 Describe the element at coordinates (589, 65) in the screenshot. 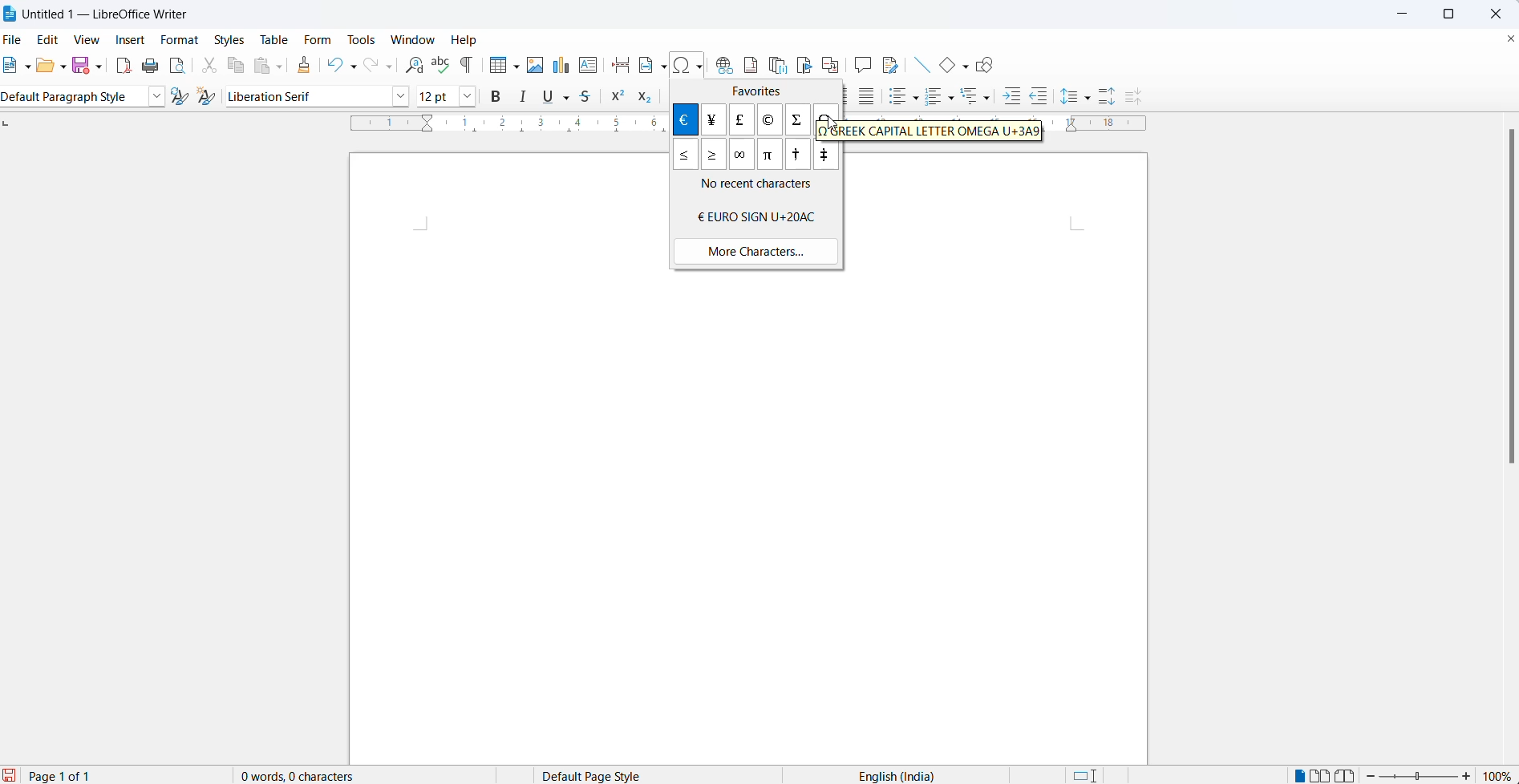

I see `add text` at that location.